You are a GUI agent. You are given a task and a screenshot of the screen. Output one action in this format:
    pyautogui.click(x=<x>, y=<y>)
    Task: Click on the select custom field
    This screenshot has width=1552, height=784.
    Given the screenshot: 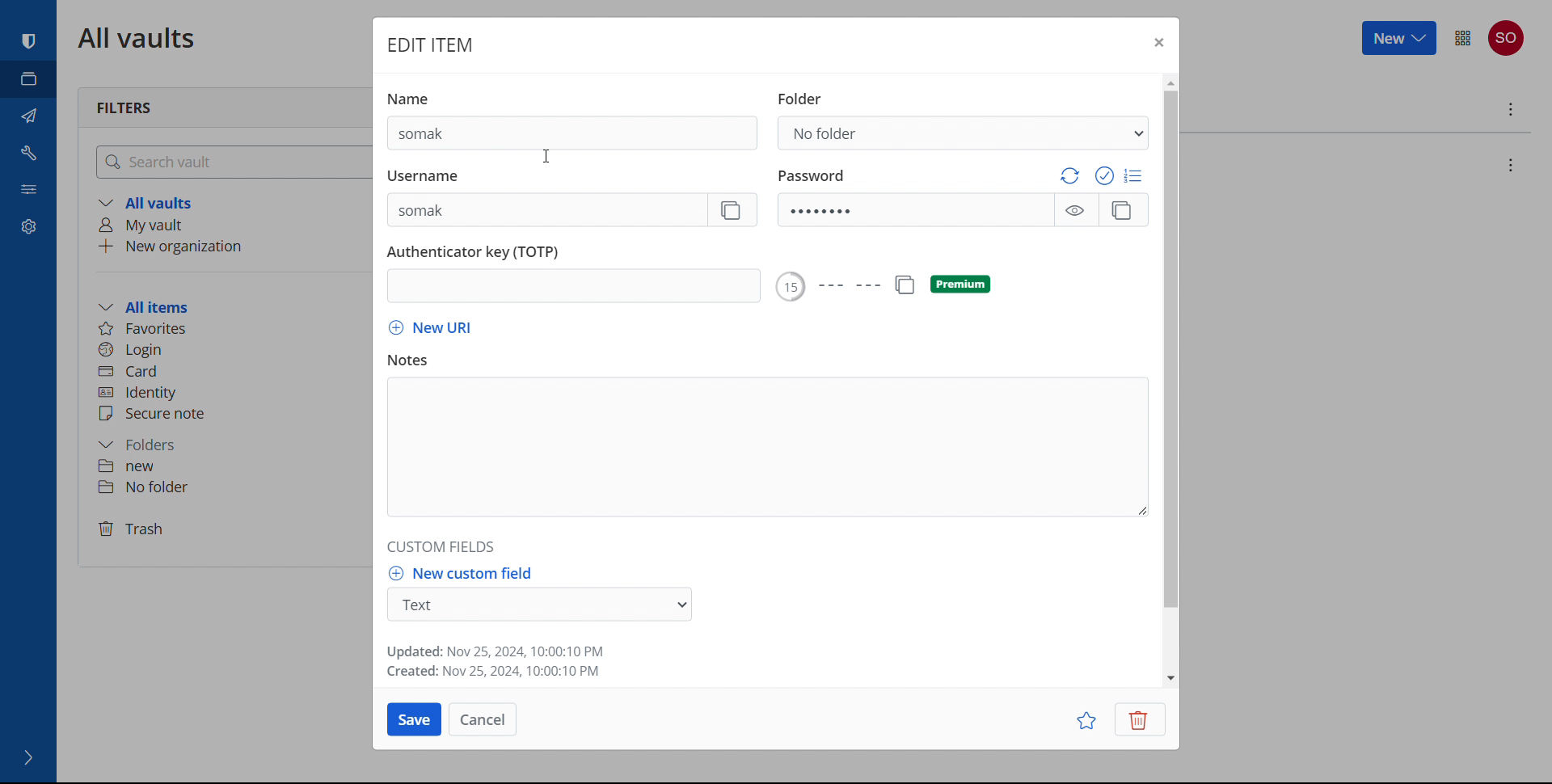 What is the action you would take?
    pyautogui.click(x=540, y=605)
    